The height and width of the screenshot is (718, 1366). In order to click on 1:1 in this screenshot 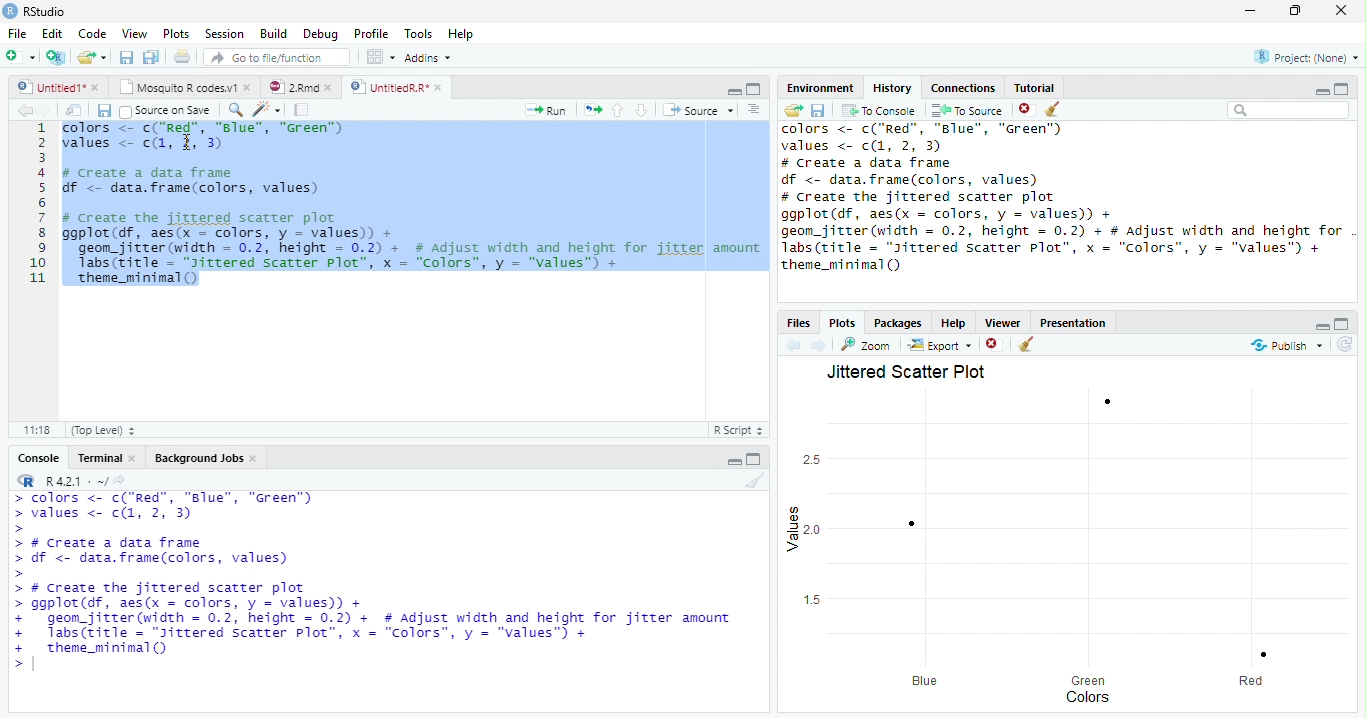, I will do `click(36, 430)`.